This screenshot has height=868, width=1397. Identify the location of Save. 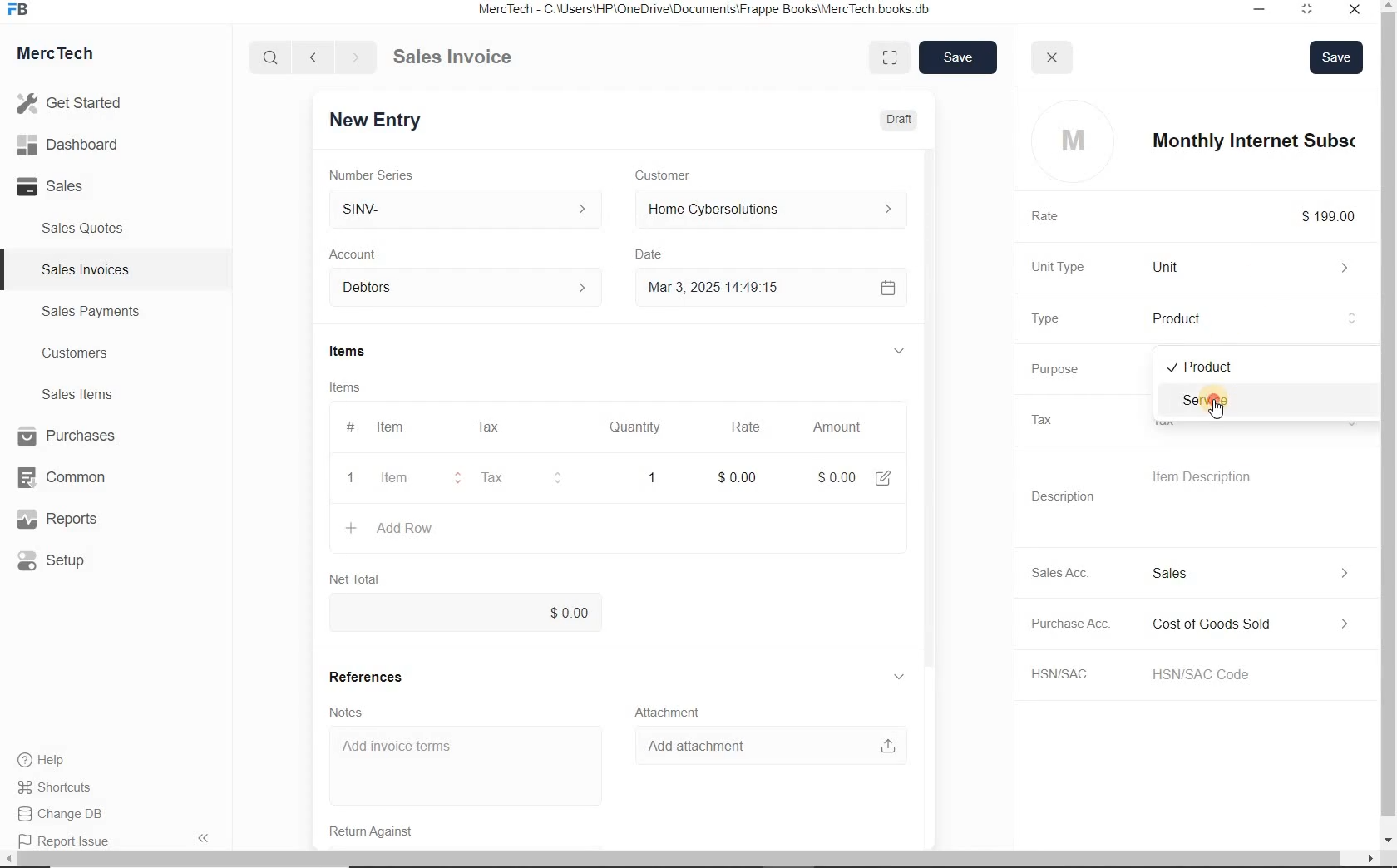
(1335, 57).